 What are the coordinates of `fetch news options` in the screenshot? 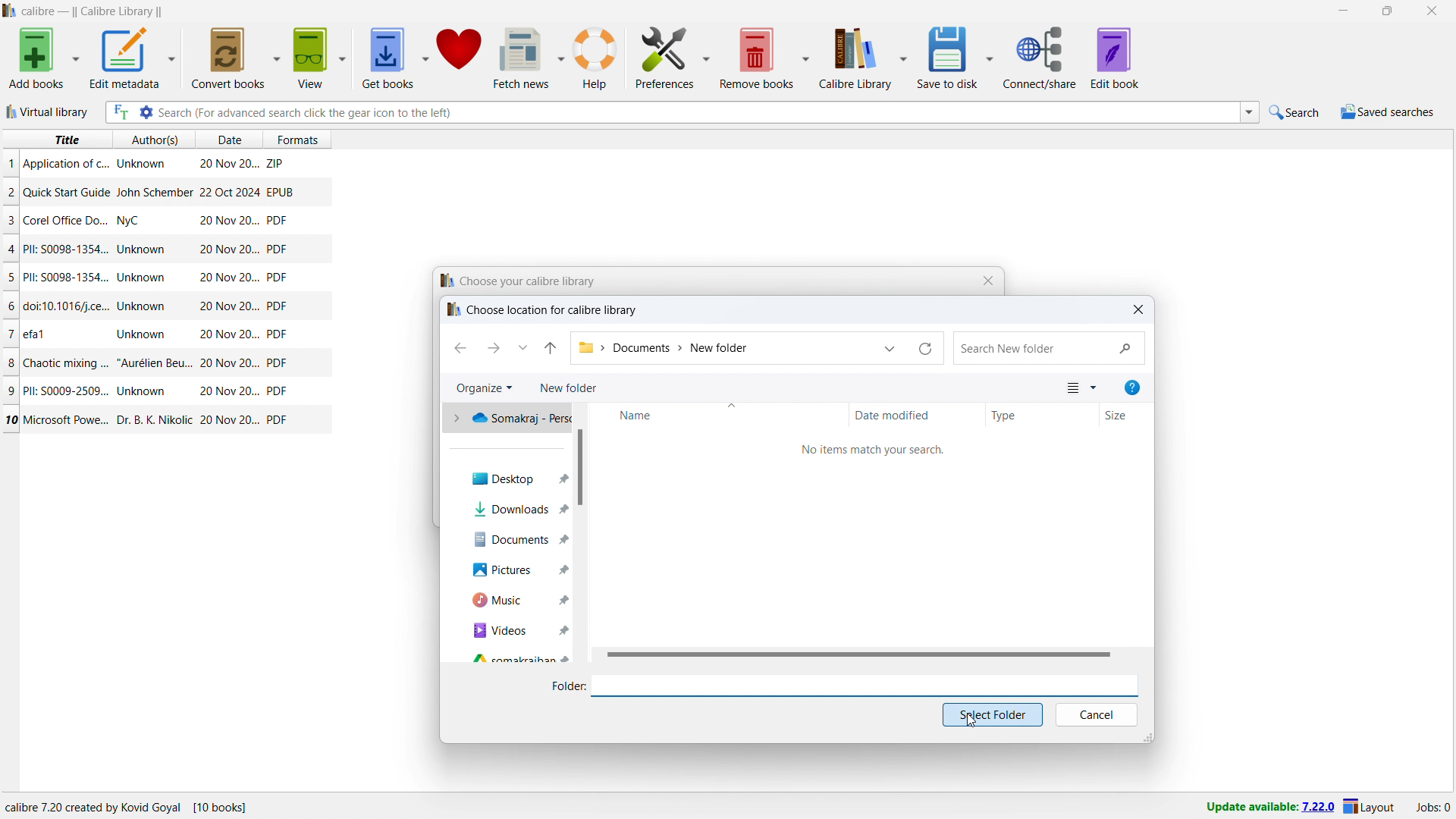 It's located at (563, 57).